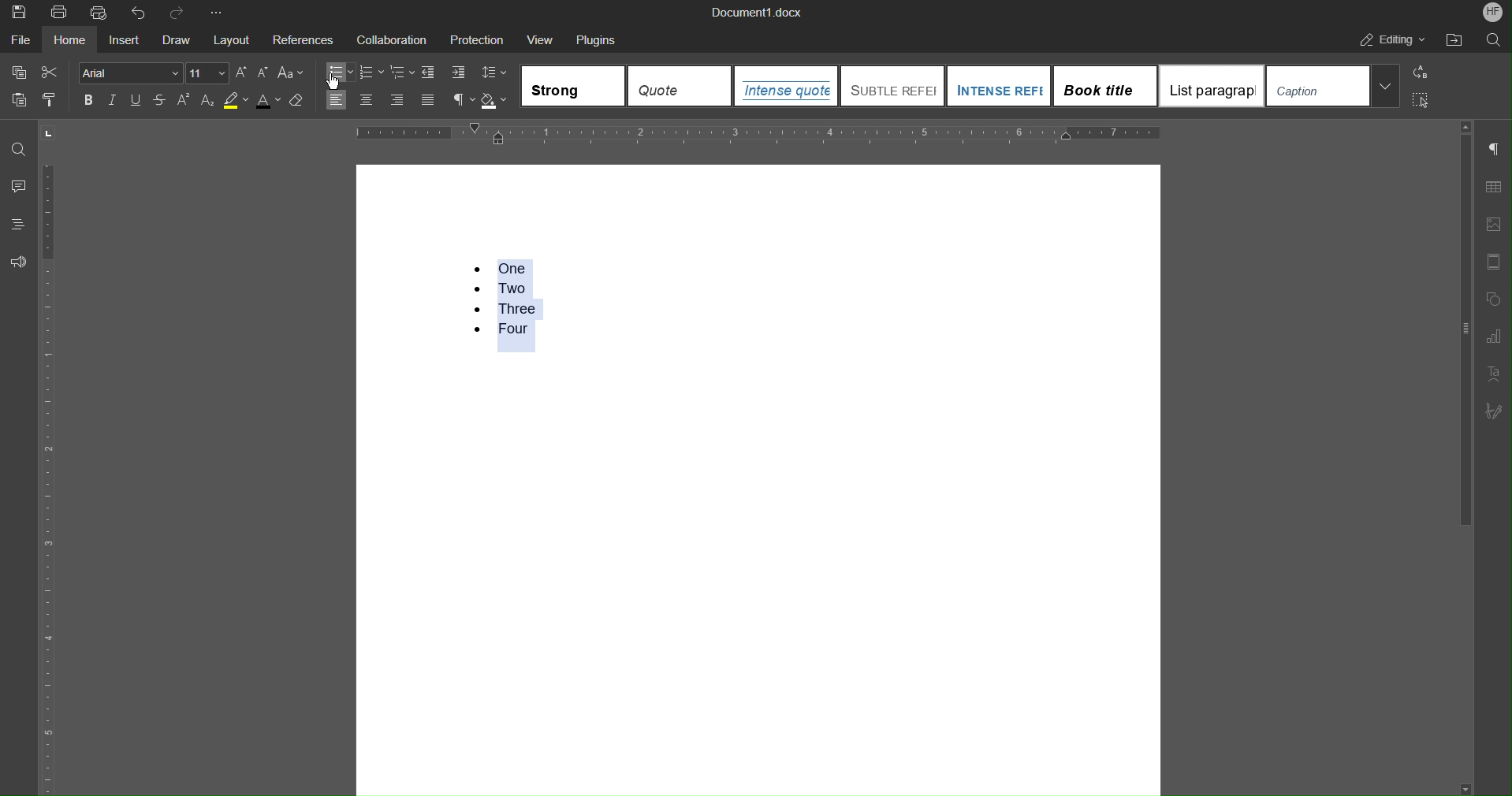  I want to click on Collaboration, so click(389, 38).